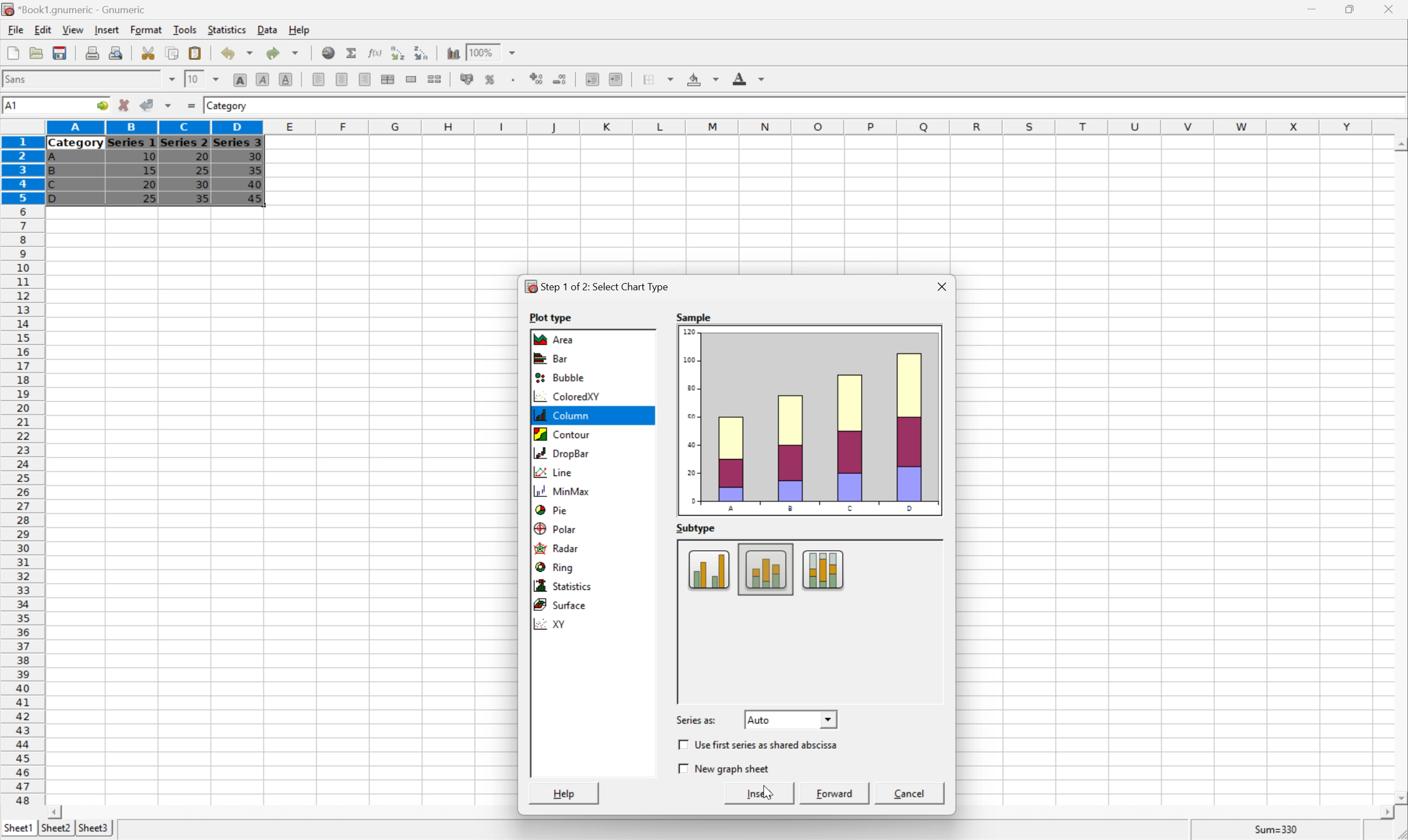  What do you see at coordinates (696, 529) in the screenshot?
I see `Subtype` at bounding box center [696, 529].